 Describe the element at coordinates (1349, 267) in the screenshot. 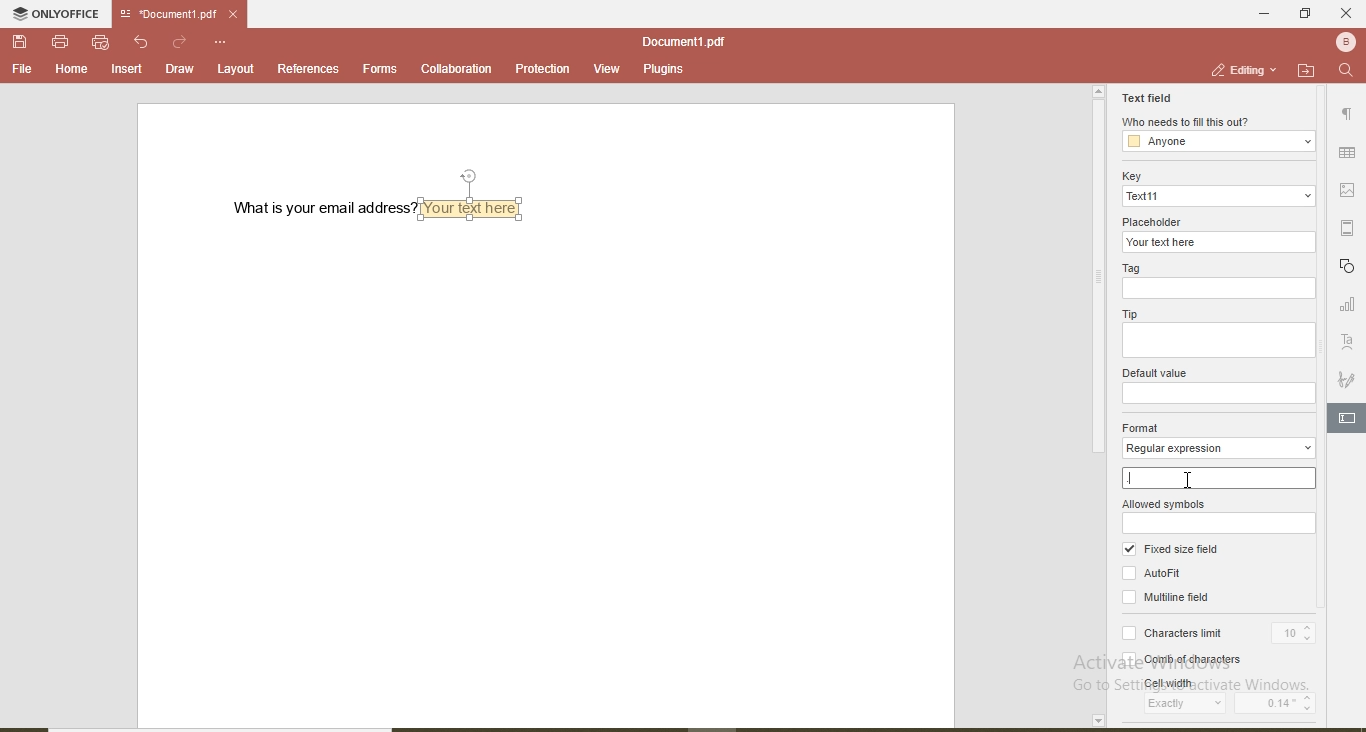

I see `shapes` at that location.